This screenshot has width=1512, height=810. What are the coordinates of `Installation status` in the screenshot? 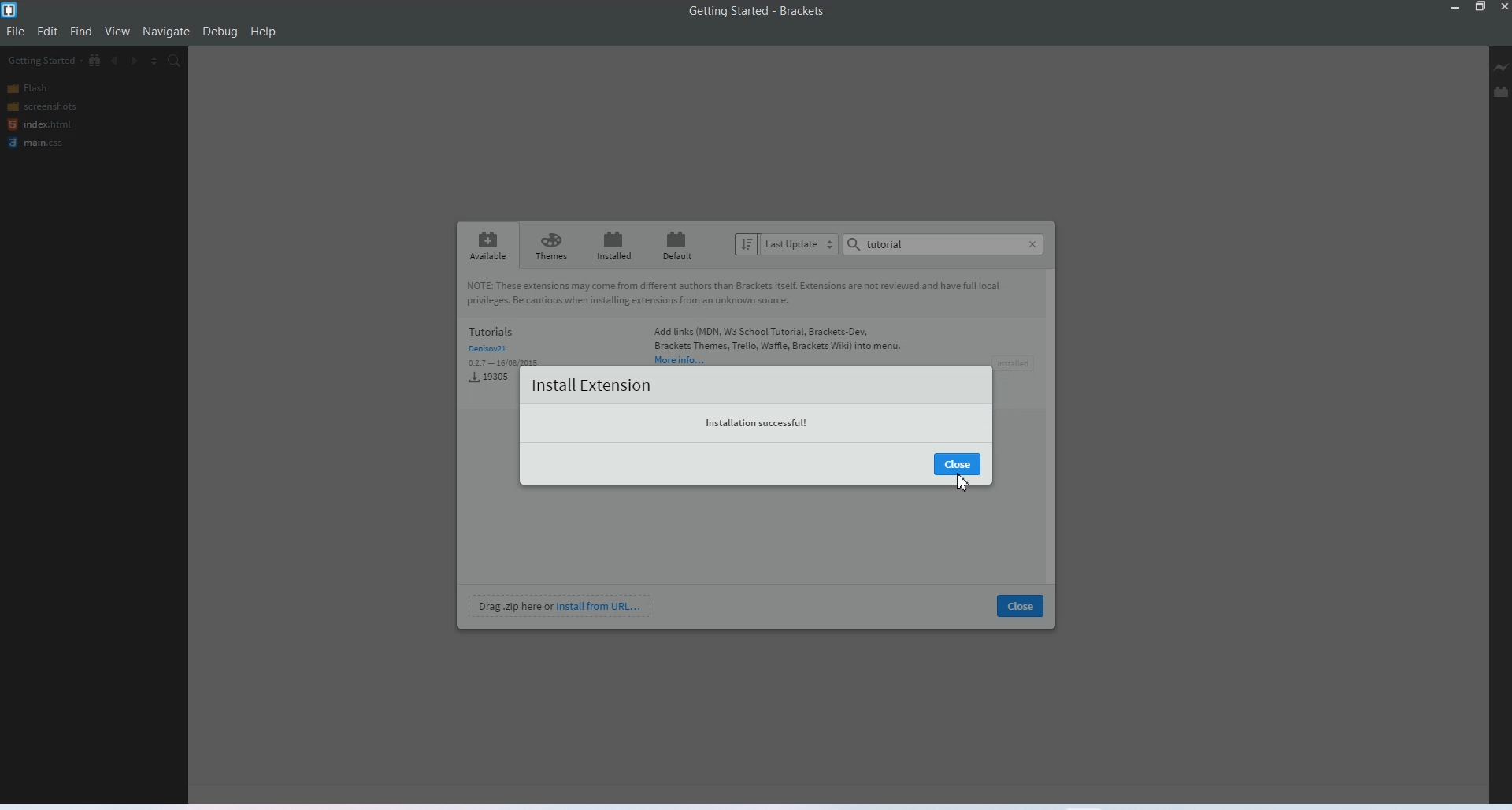 It's located at (758, 422).